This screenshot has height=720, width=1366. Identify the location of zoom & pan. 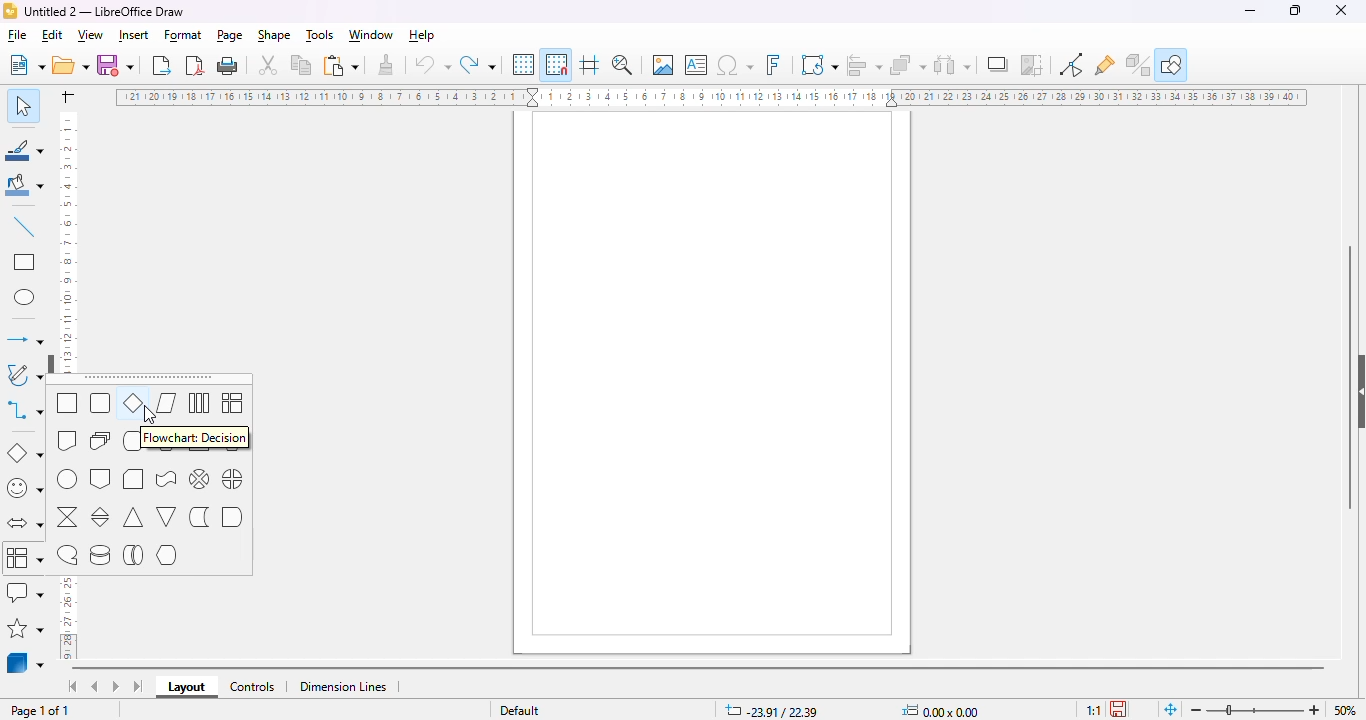
(623, 65).